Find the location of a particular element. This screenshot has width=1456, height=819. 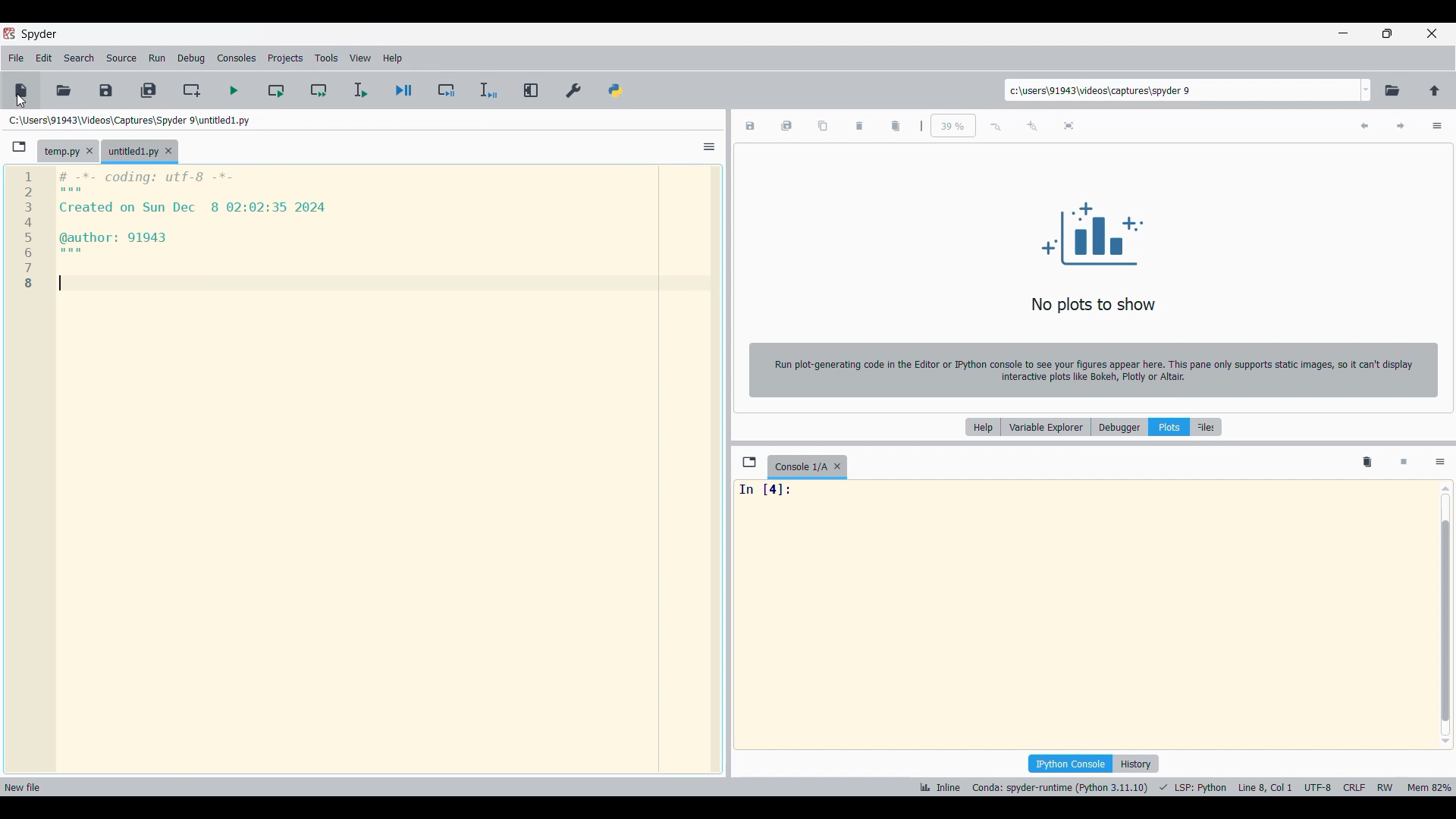

Delete current plot is located at coordinates (859, 126).